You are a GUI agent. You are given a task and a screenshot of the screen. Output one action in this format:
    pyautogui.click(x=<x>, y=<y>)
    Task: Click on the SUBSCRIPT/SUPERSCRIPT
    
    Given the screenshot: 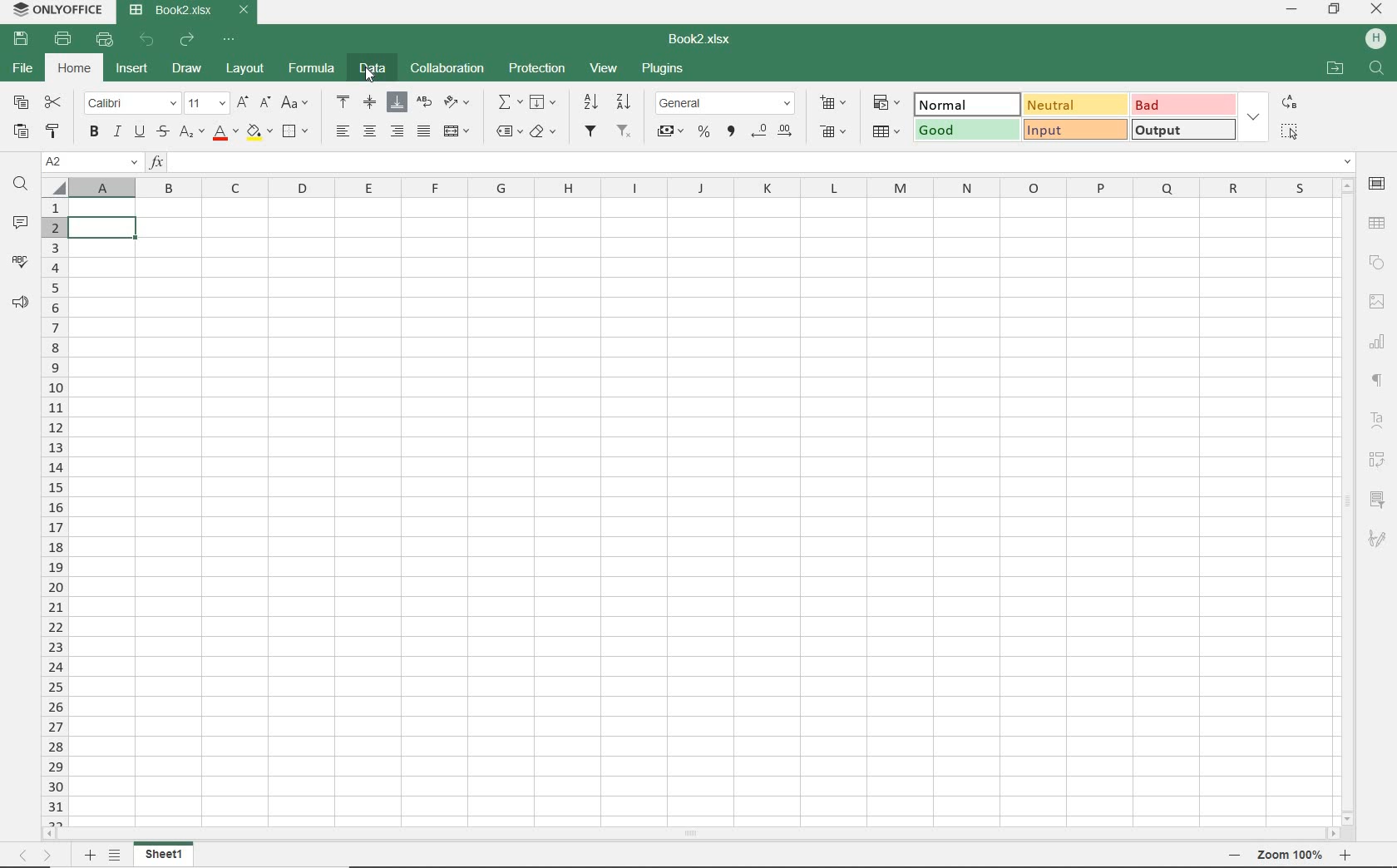 What is the action you would take?
    pyautogui.click(x=191, y=133)
    